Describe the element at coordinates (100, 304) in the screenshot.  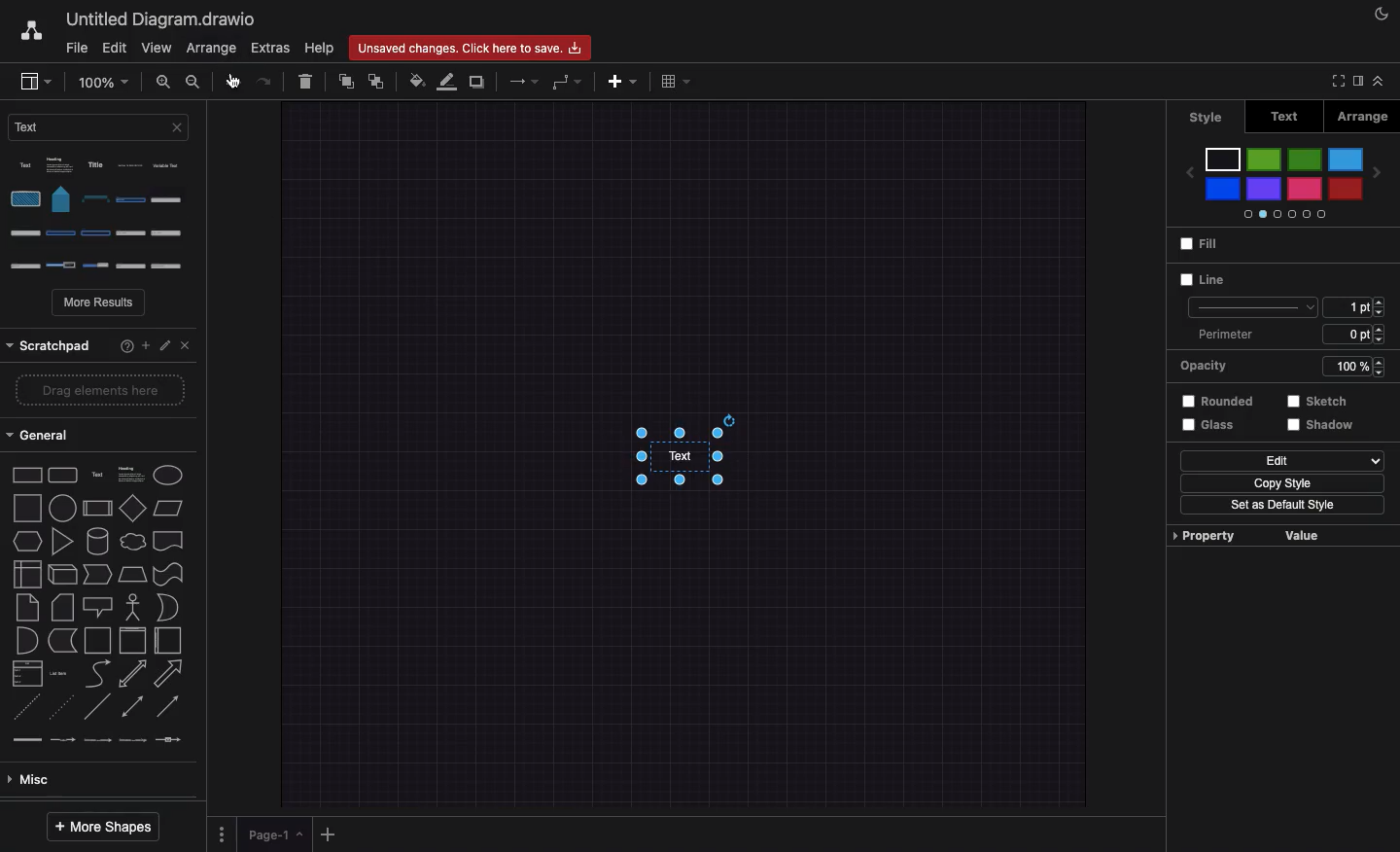
I see `More results` at that location.